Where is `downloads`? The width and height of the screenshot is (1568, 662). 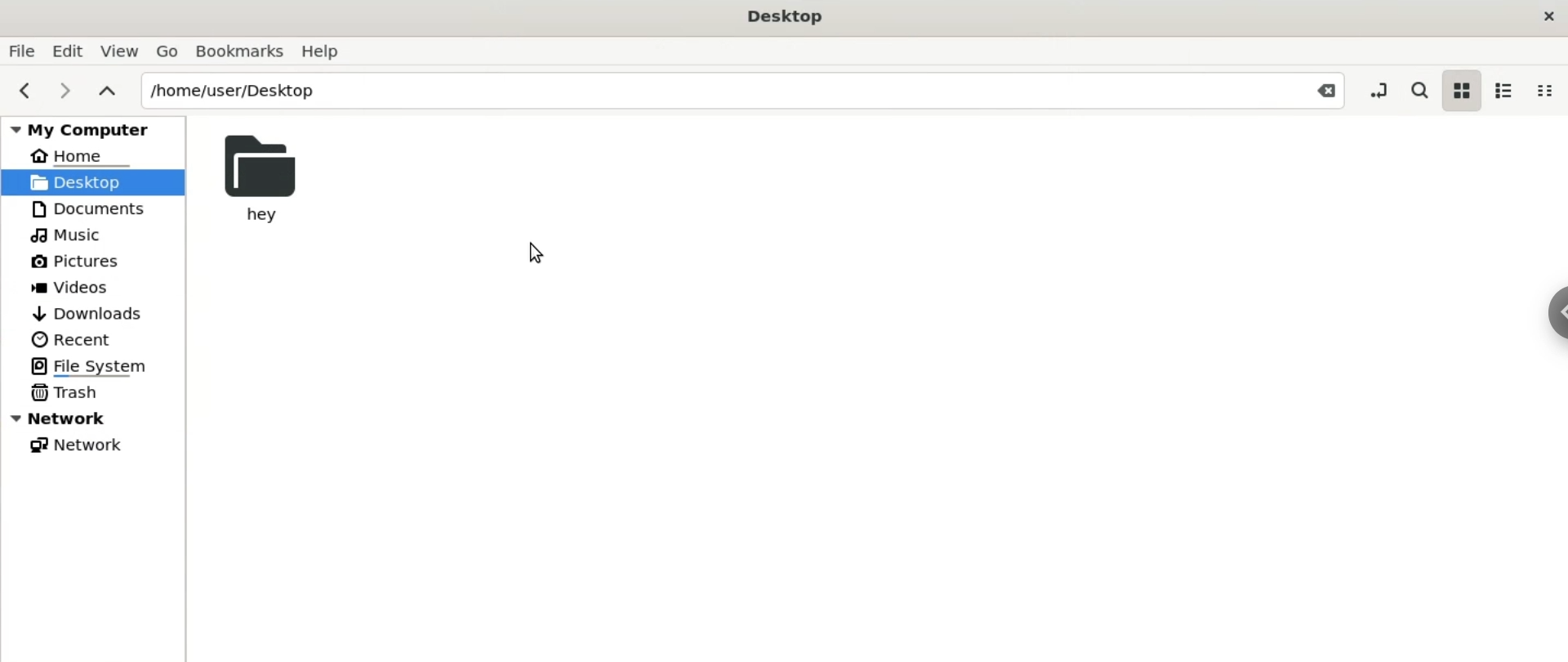 downloads is located at coordinates (93, 313).